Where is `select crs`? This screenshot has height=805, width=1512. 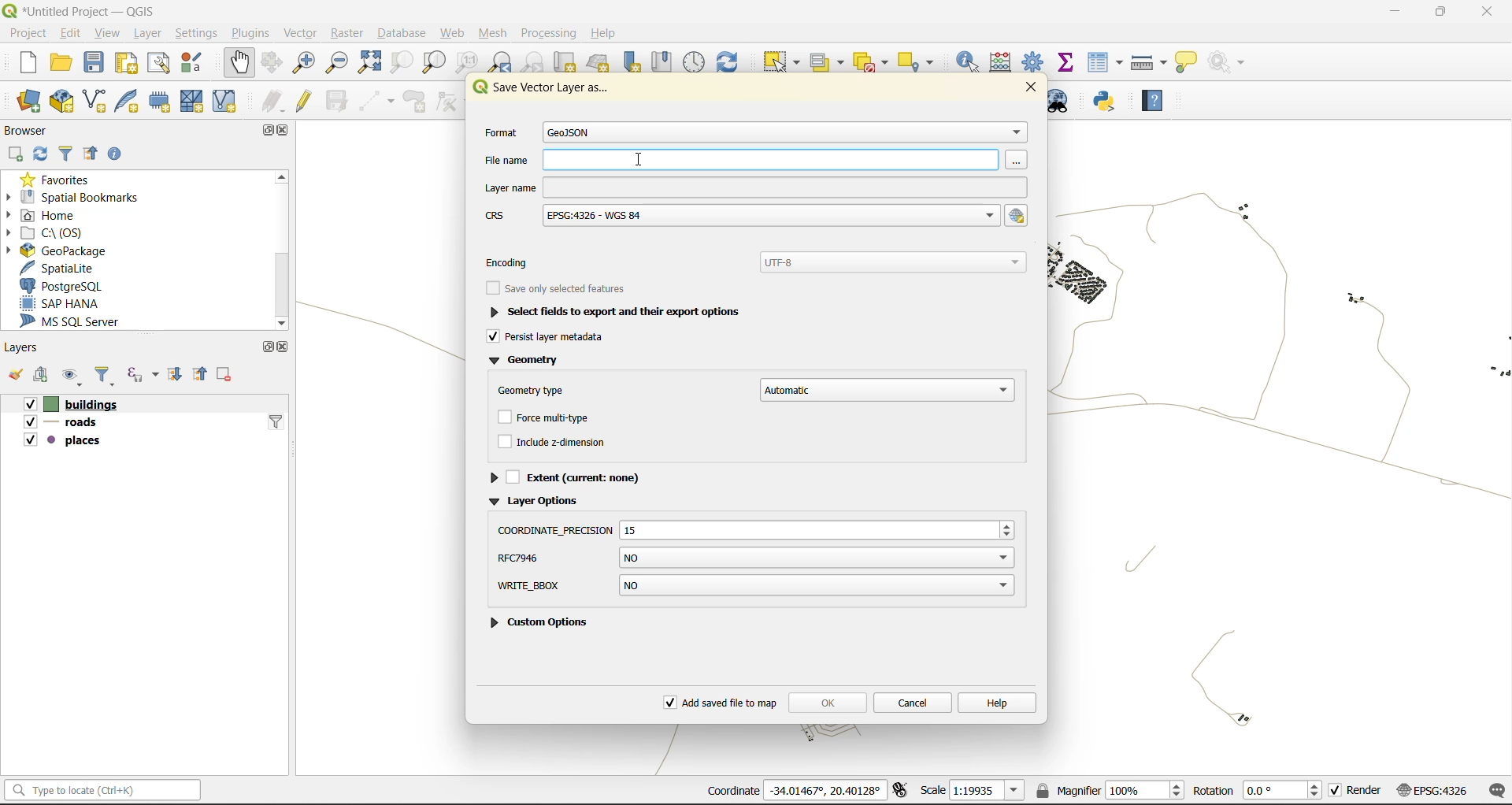 select crs is located at coordinates (1018, 216).